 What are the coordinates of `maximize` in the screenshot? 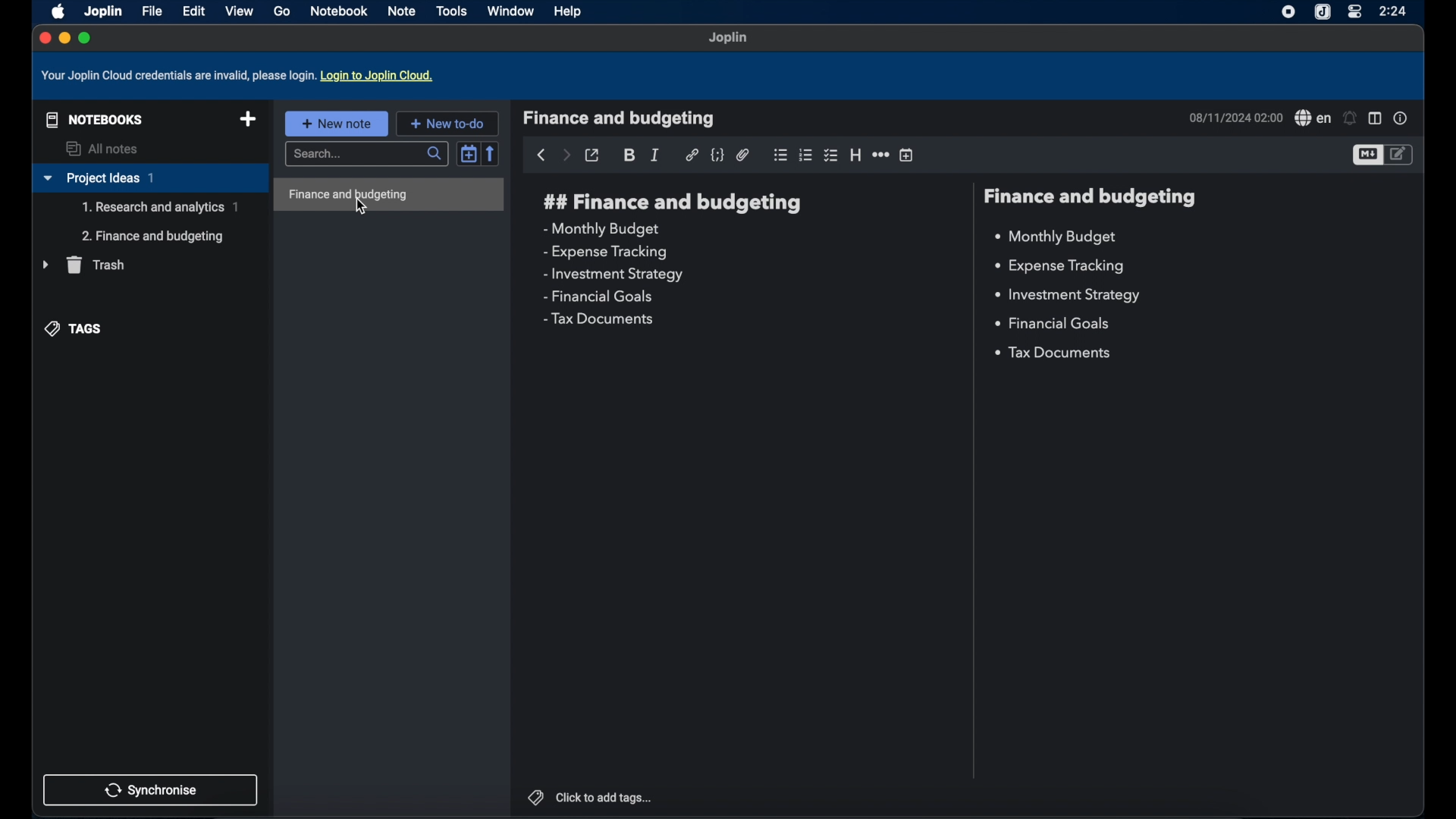 It's located at (86, 38).